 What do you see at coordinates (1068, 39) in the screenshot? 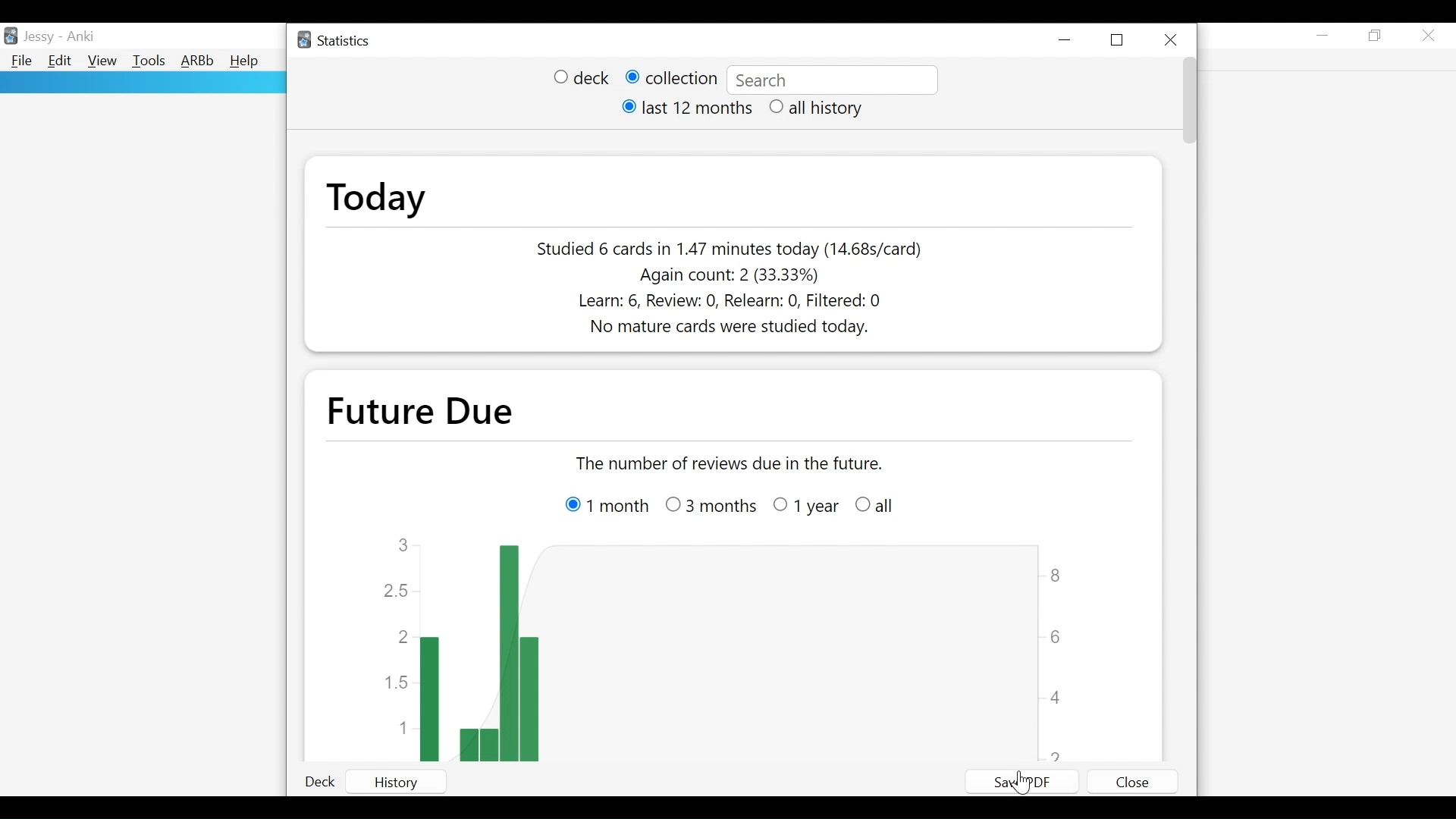
I see `Minimize` at bounding box center [1068, 39].